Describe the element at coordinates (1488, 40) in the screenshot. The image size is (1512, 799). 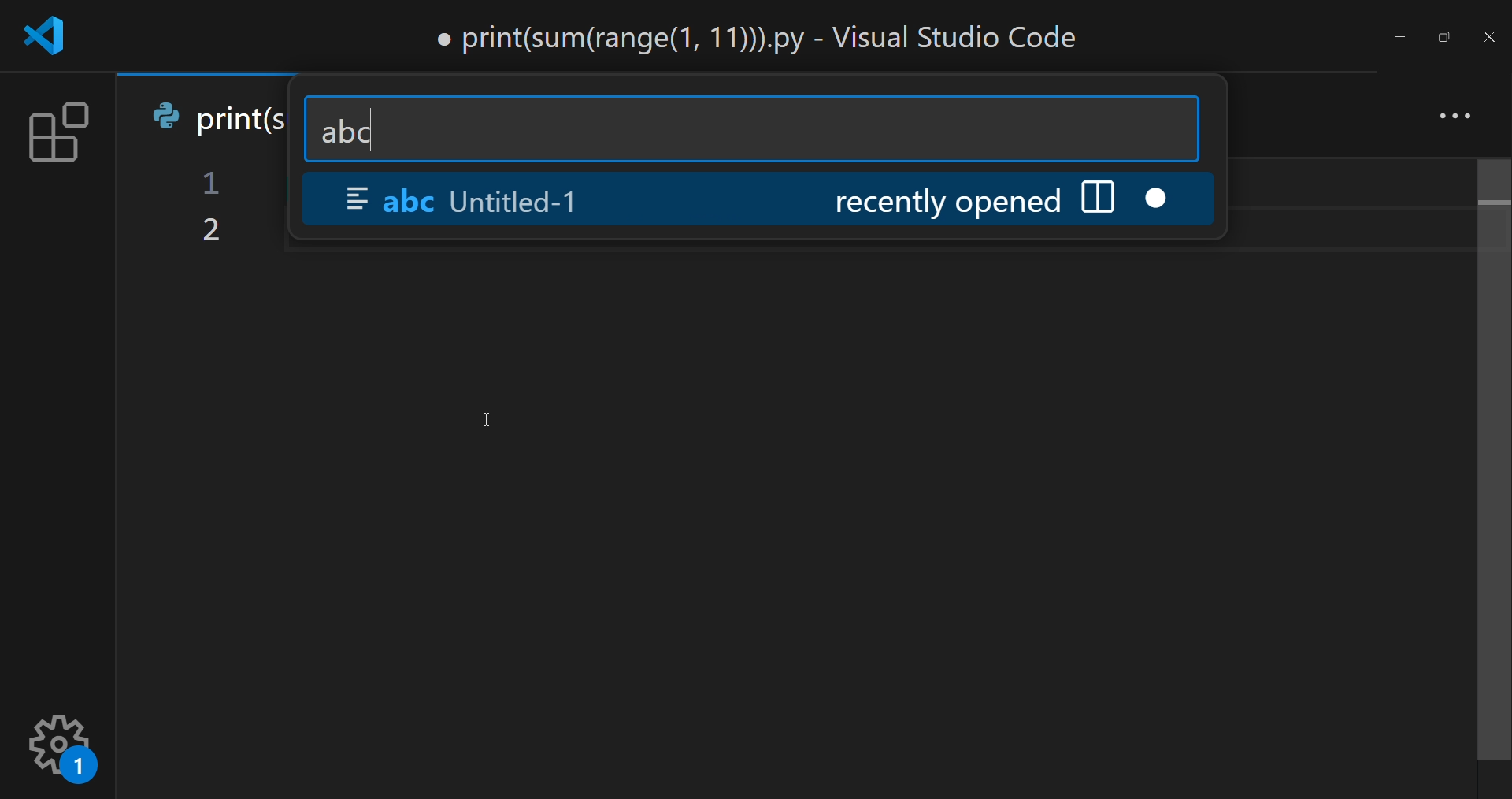
I see `close` at that location.